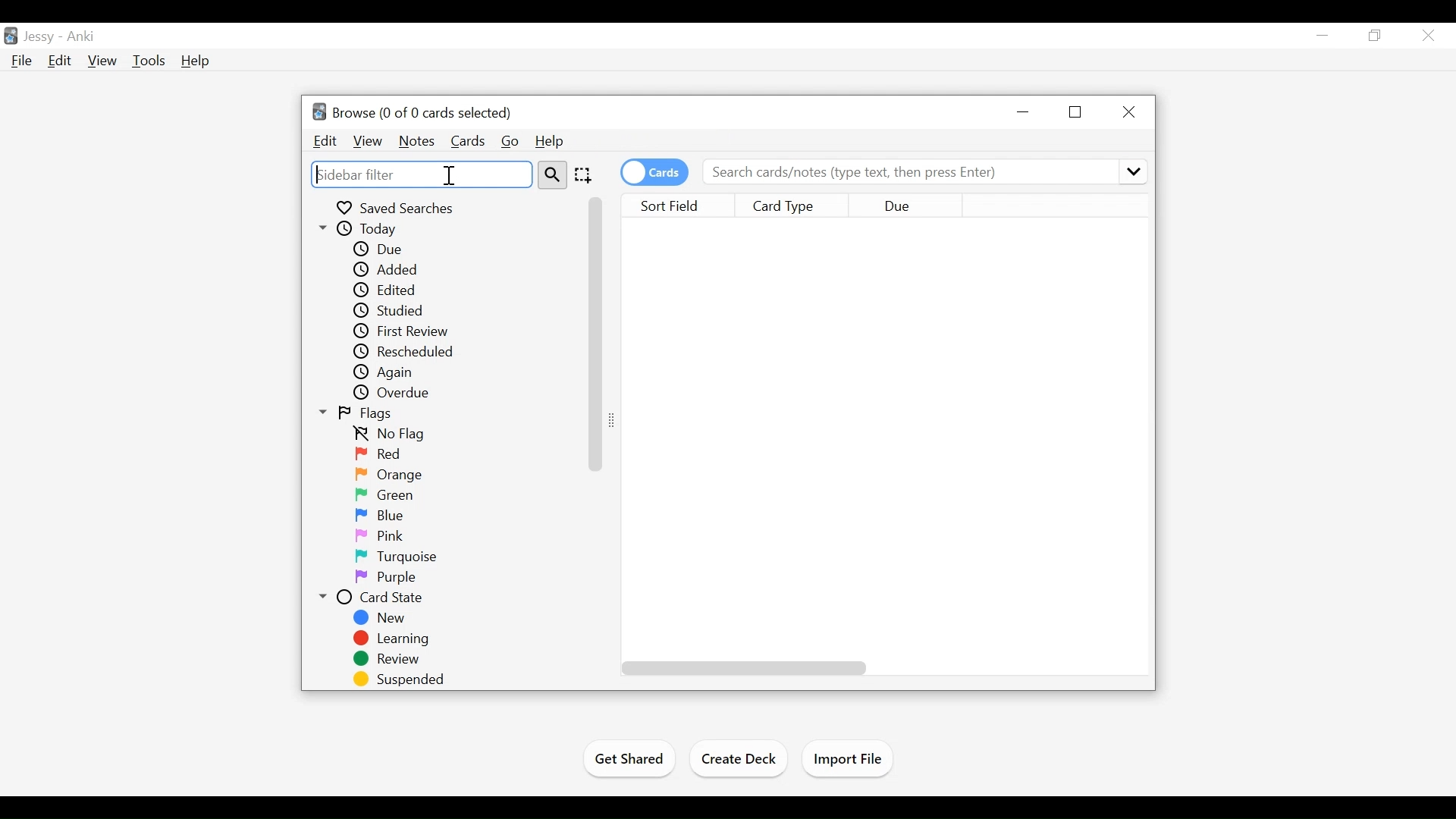 This screenshot has width=1456, height=819. Describe the element at coordinates (852, 760) in the screenshot. I see `Import File` at that location.